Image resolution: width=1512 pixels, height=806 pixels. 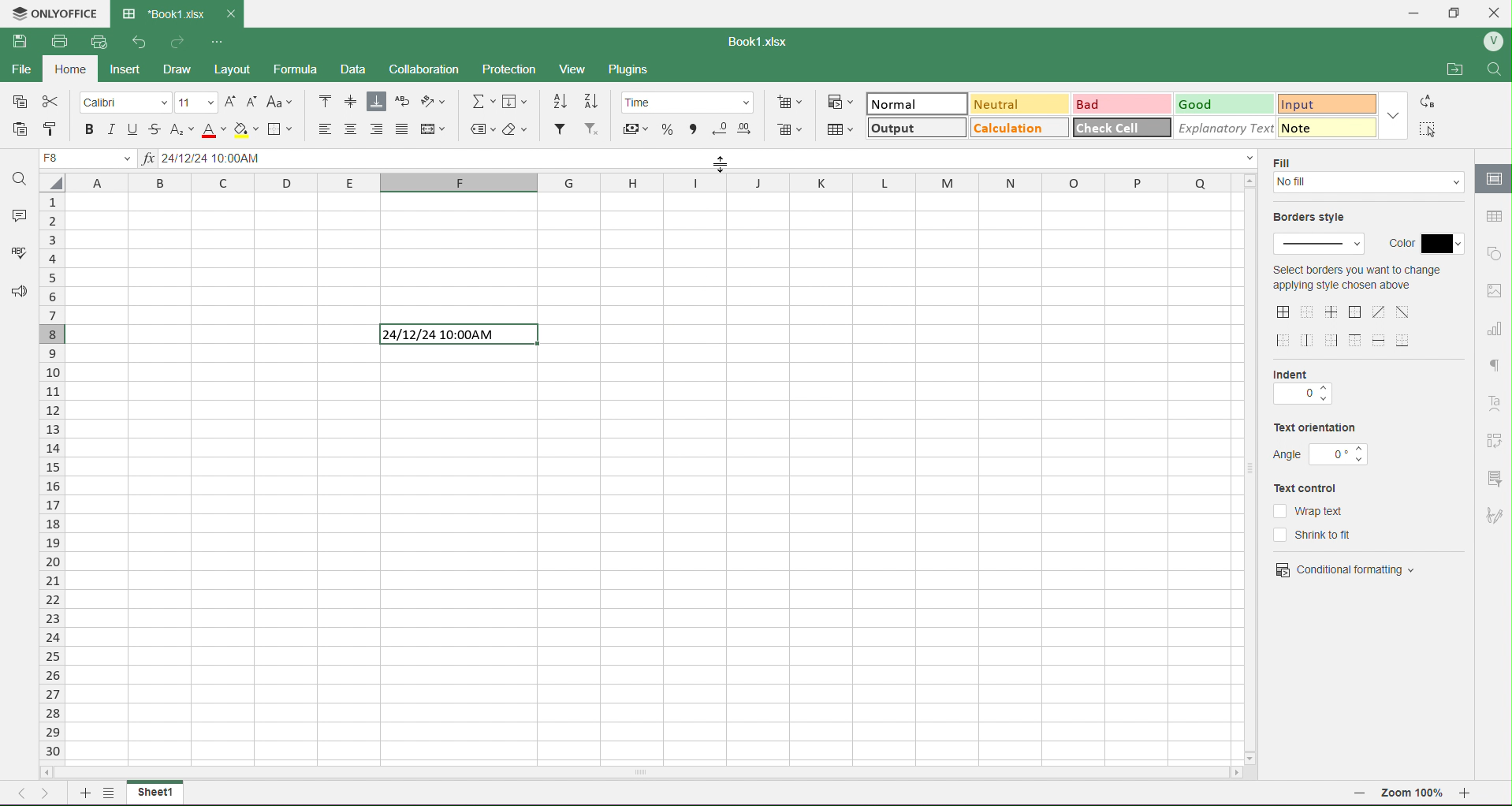 What do you see at coordinates (520, 67) in the screenshot?
I see `Protection` at bounding box center [520, 67].